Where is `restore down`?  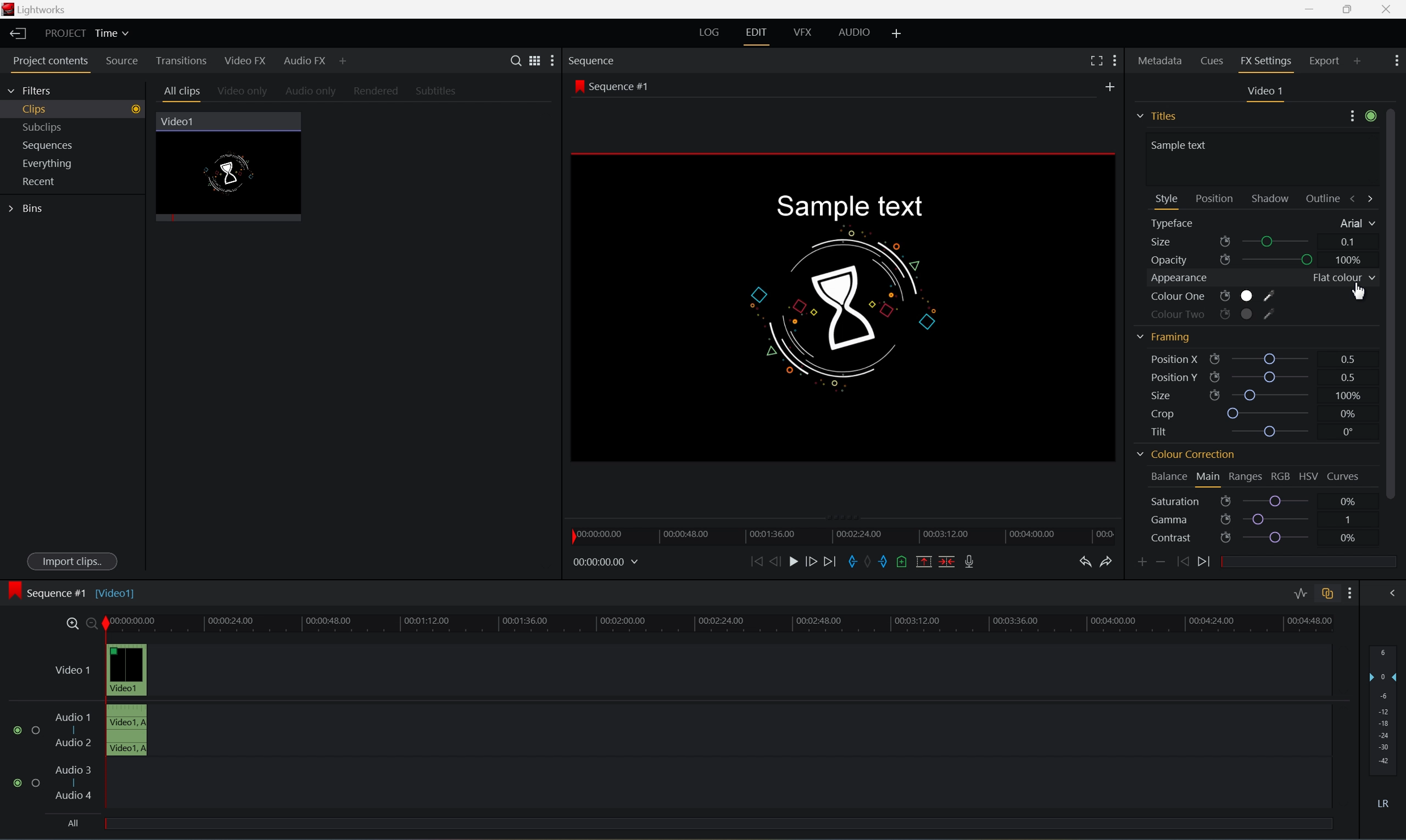 restore down is located at coordinates (1345, 9).